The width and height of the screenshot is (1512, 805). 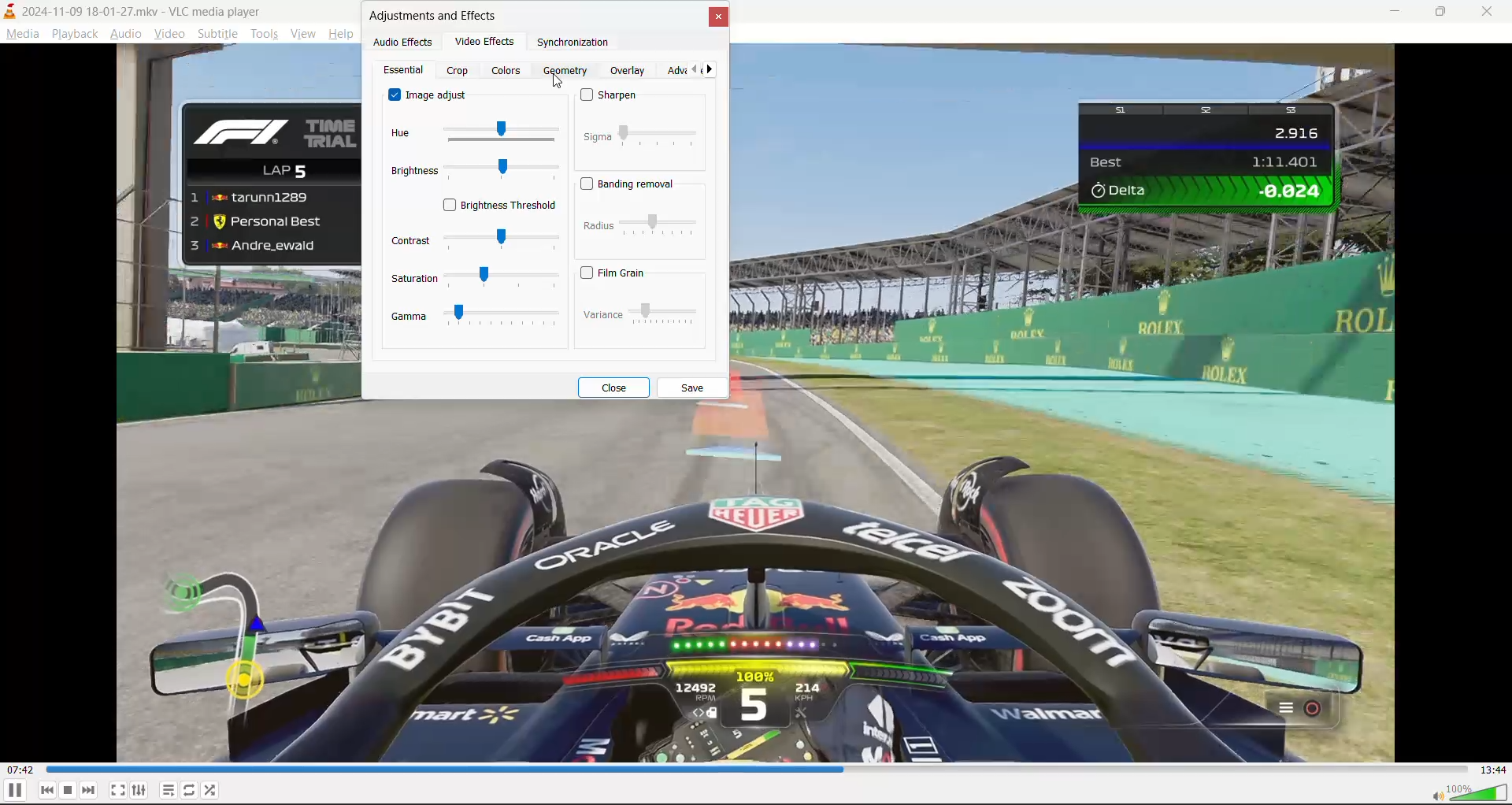 What do you see at coordinates (641, 228) in the screenshot?
I see `radius` at bounding box center [641, 228].